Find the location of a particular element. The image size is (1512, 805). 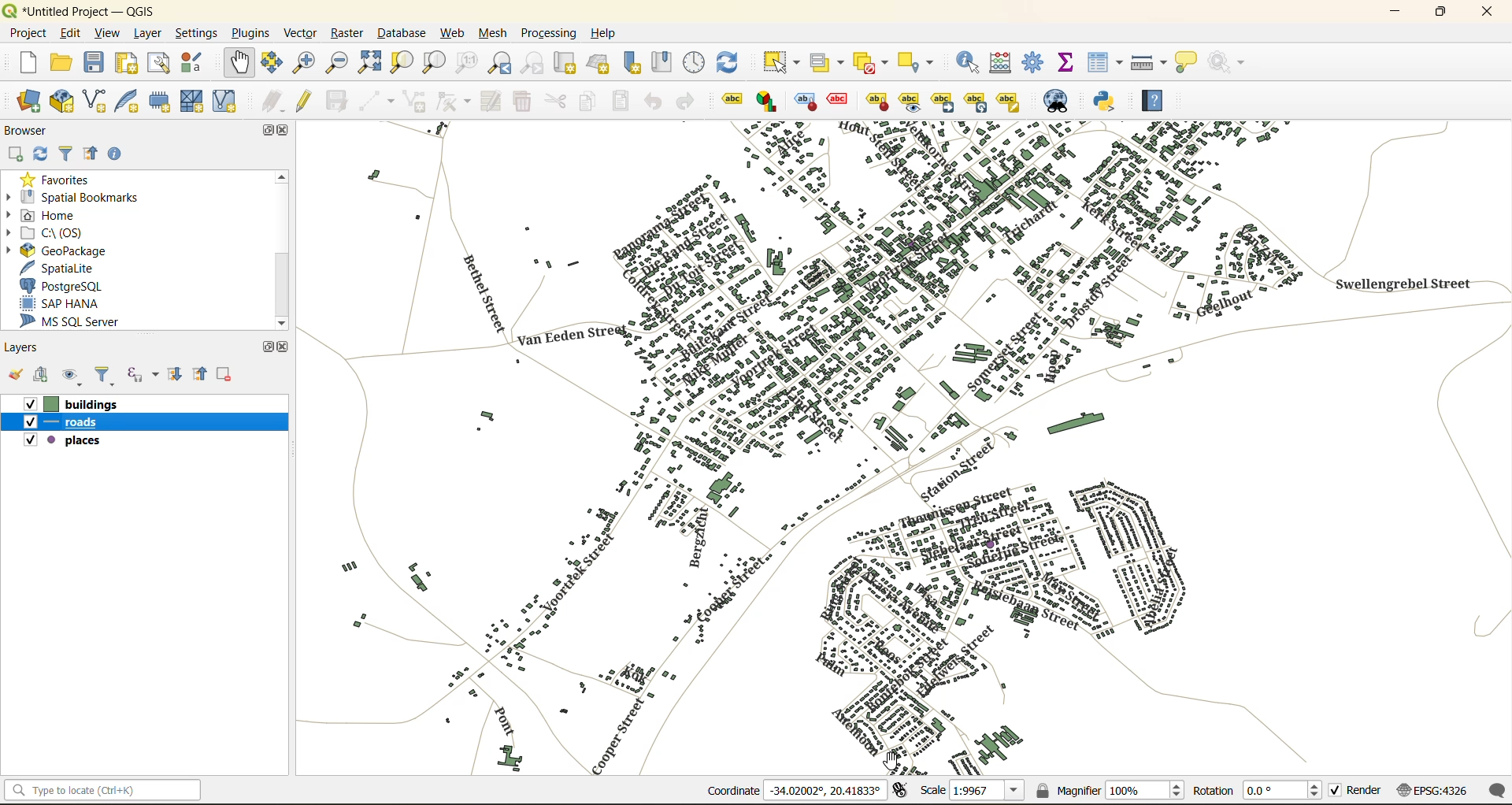

raster is located at coordinates (349, 35).